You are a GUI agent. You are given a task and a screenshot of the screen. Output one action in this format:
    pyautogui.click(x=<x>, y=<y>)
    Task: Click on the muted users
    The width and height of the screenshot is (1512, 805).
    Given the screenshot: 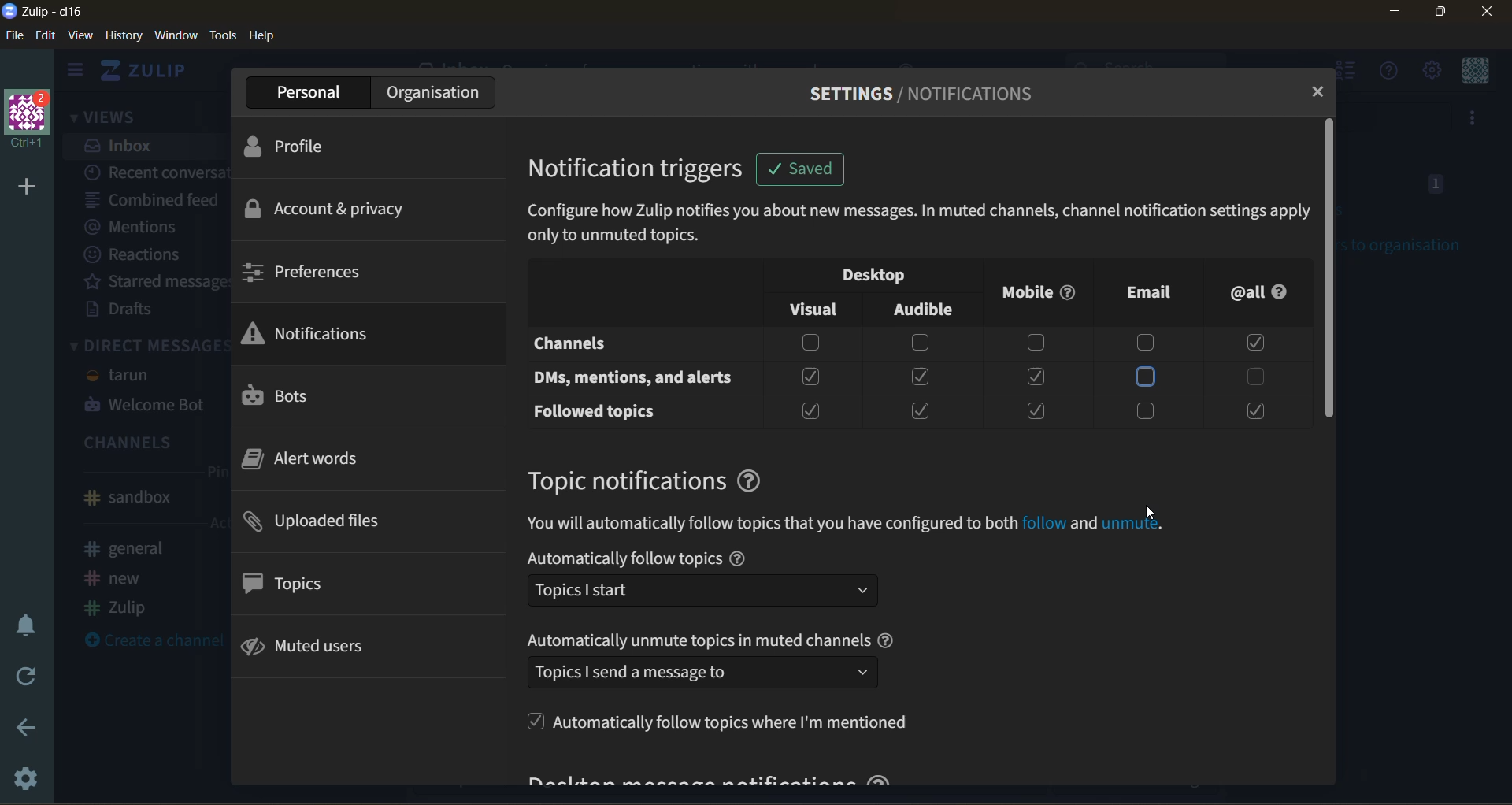 What is the action you would take?
    pyautogui.click(x=320, y=649)
    